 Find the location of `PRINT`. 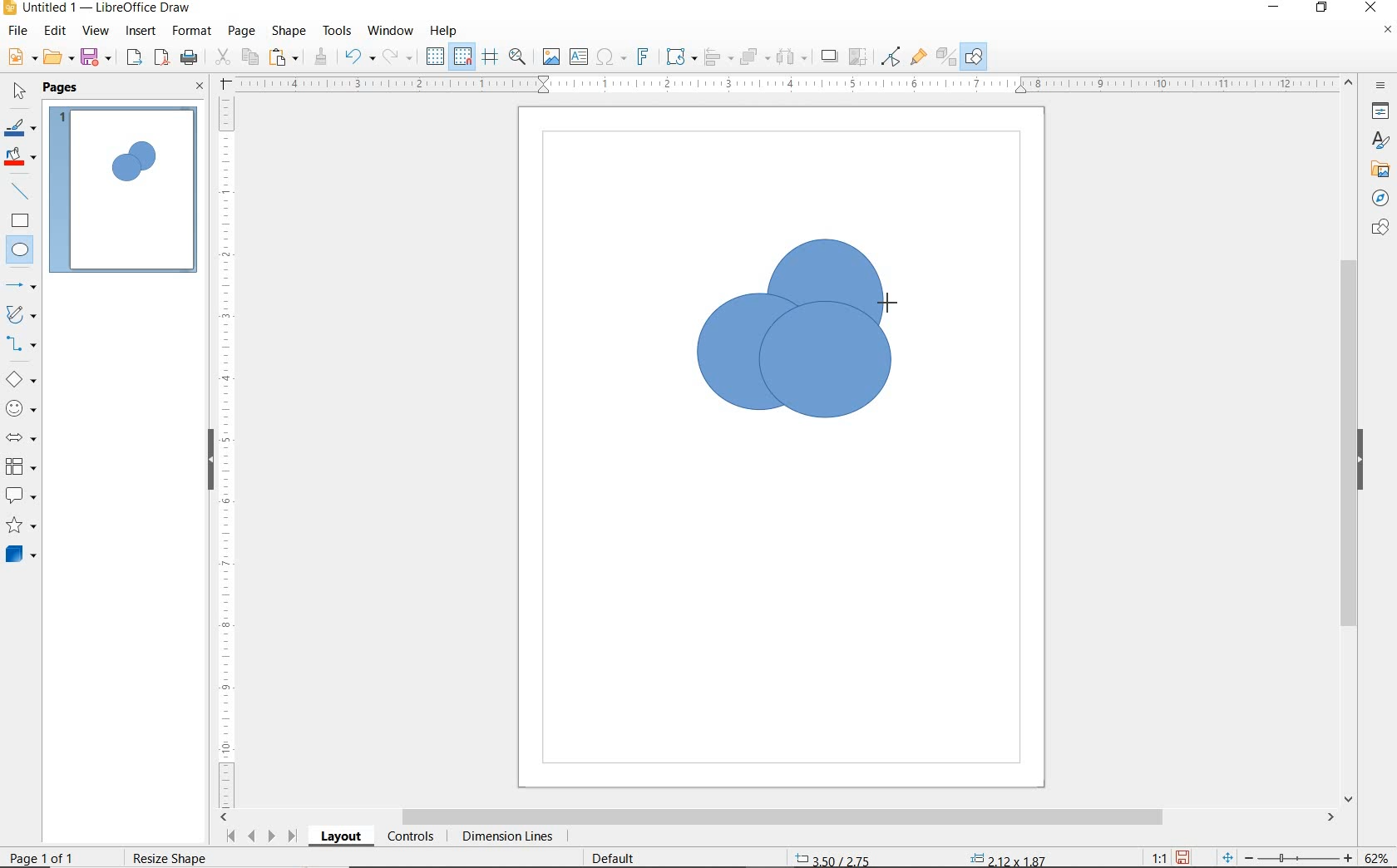

PRINT is located at coordinates (190, 57).